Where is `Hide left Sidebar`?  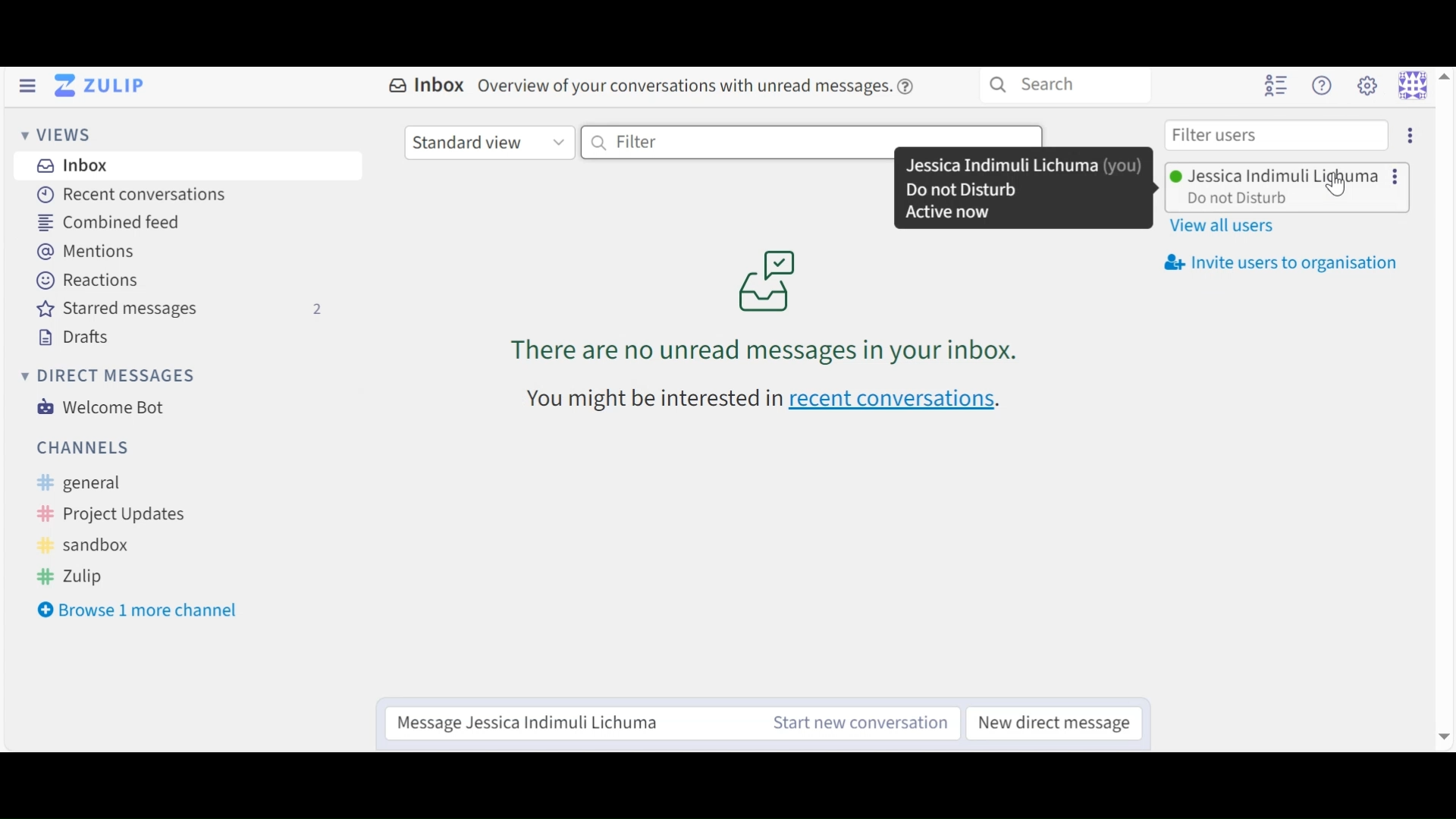
Hide left Sidebar is located at coordinates (27, 86).